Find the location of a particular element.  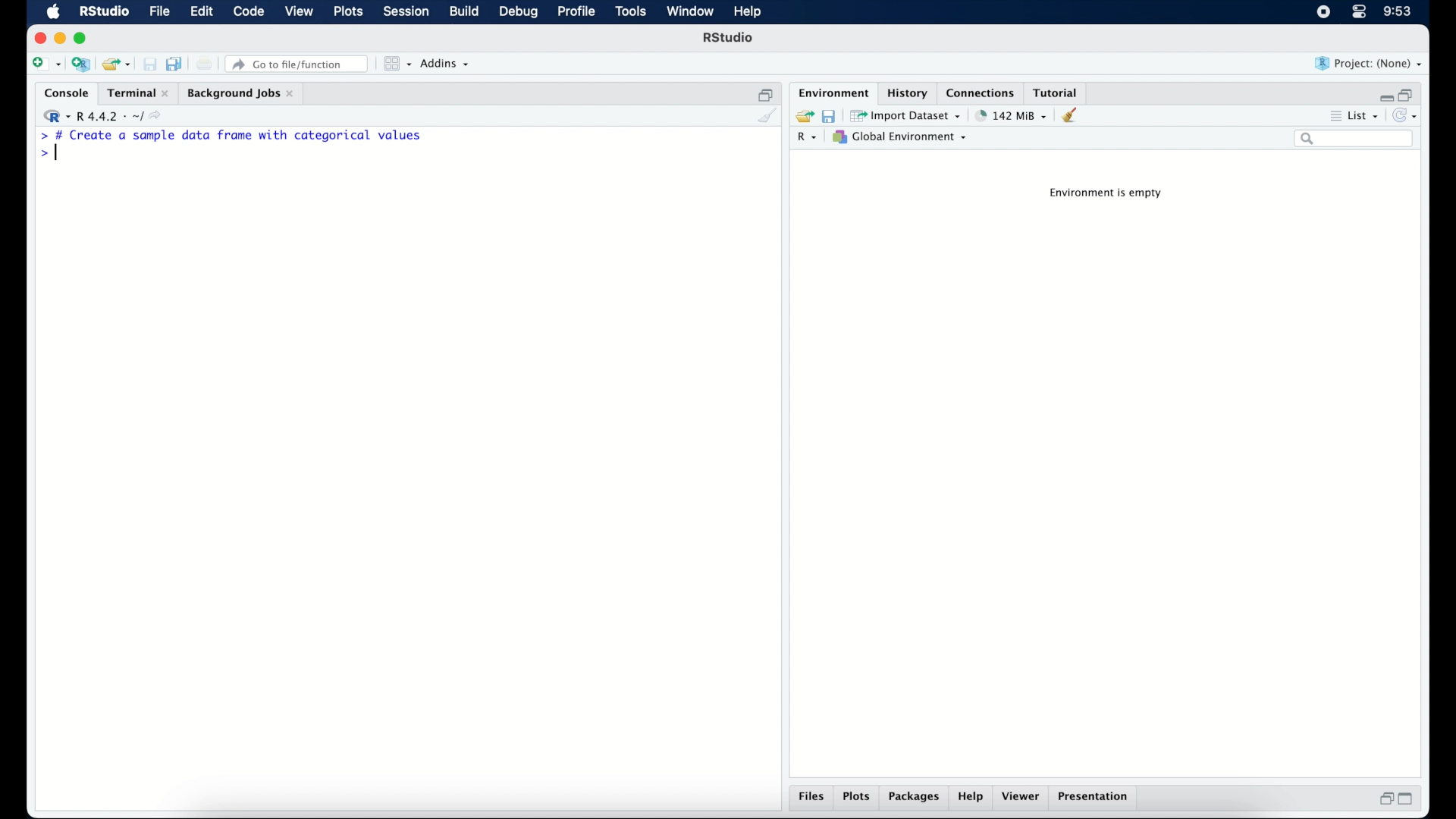

command prompt is located at coordinates (38, 135).